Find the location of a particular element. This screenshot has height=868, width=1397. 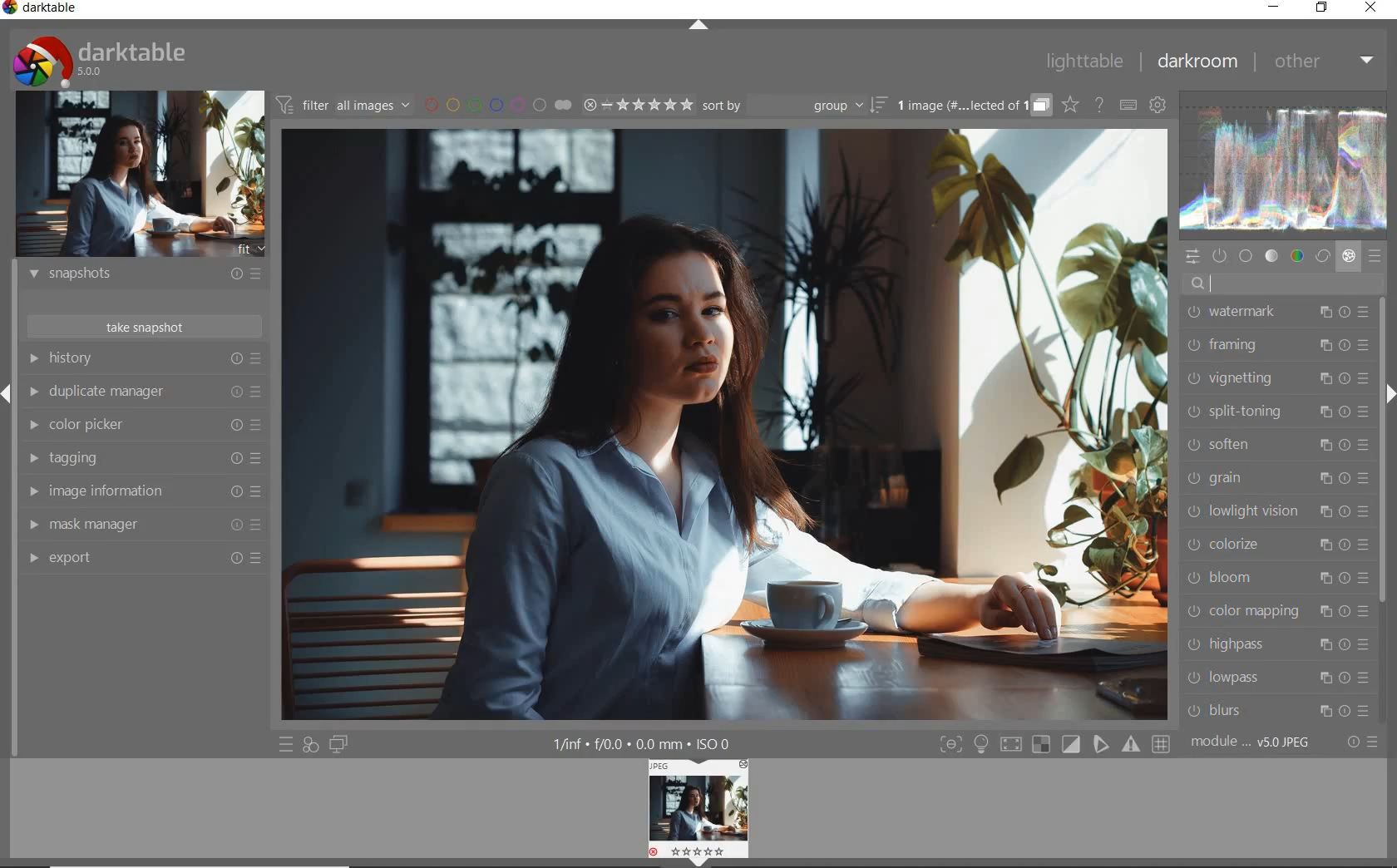

system name is located at coordinates (42, 10).